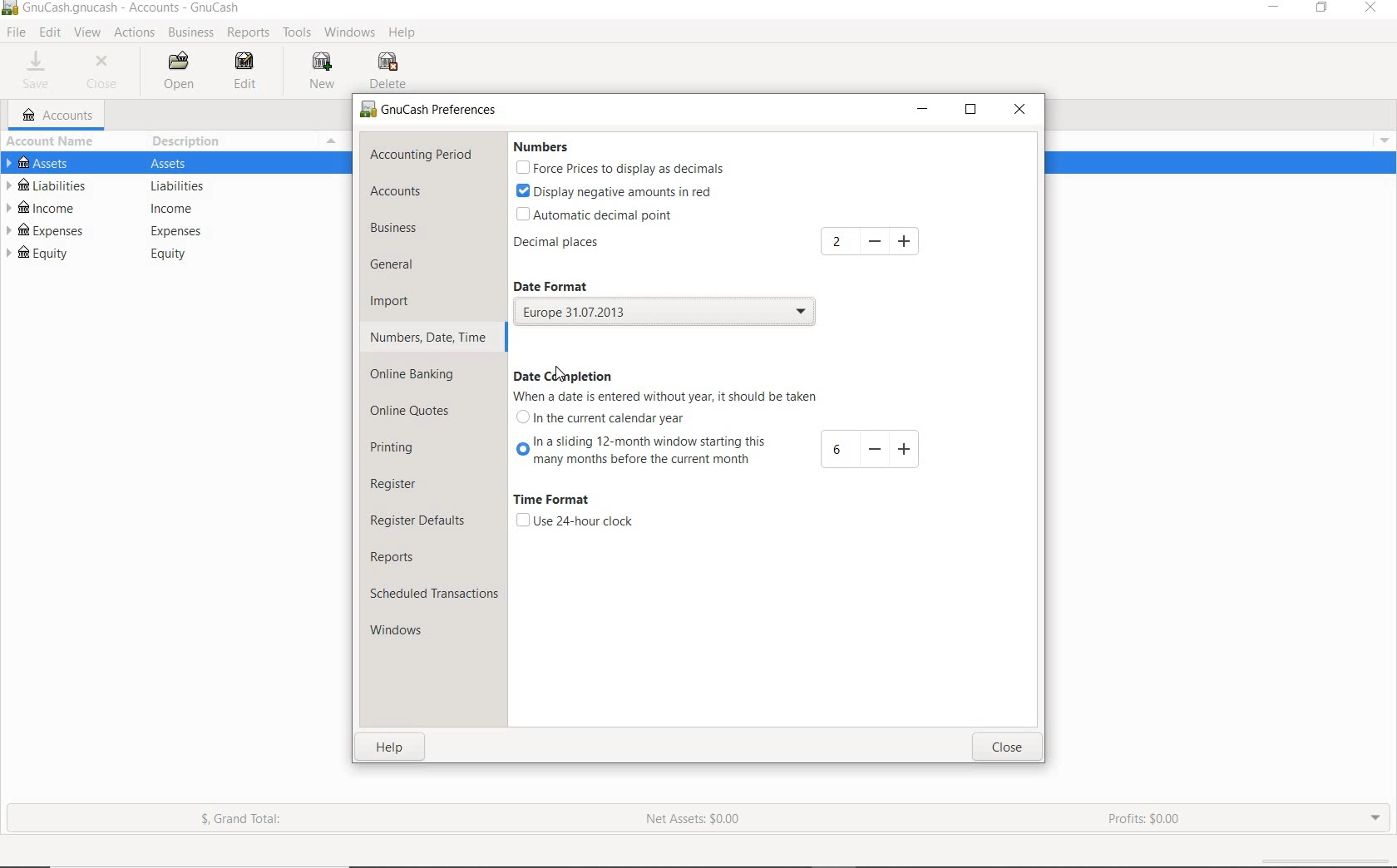 The width and height of the screenshot is (1397, 868). What do you see at coordinates (166, 231) in the screenshot?
I see `EXPENSES` at bounding box center [166, 231].